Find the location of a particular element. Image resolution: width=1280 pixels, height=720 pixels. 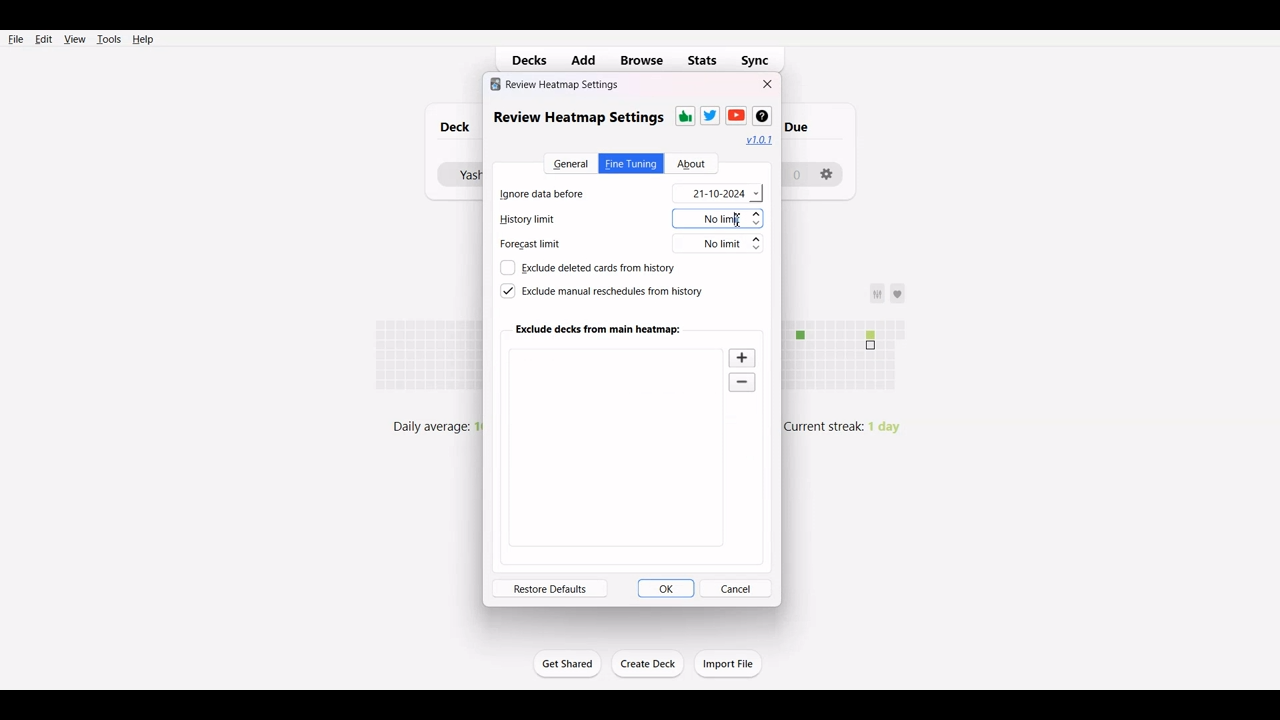

General is located at coordinates (569, 163).